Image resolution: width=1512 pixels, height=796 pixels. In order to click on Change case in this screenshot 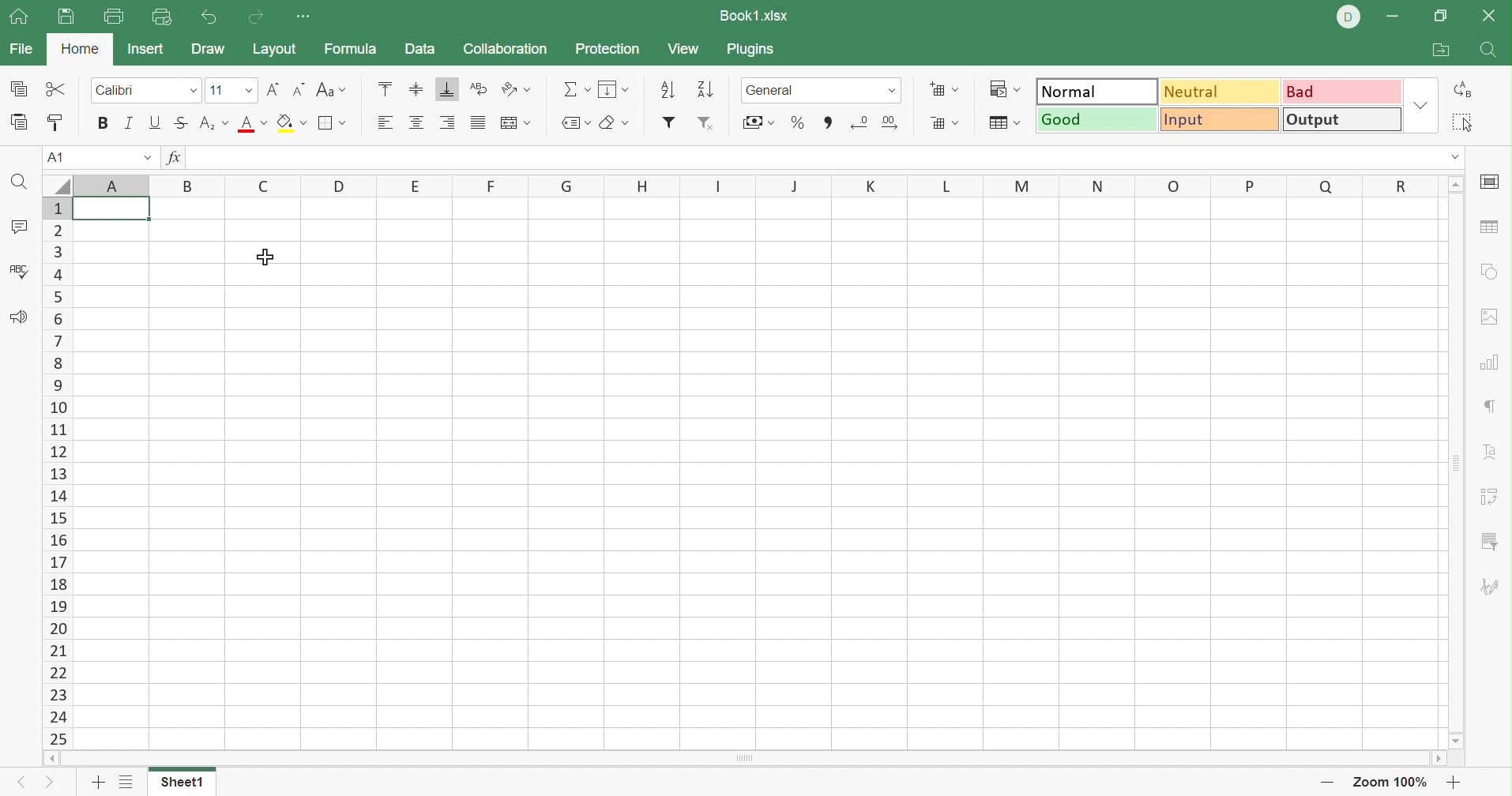, I will do `click(332, 90)`.